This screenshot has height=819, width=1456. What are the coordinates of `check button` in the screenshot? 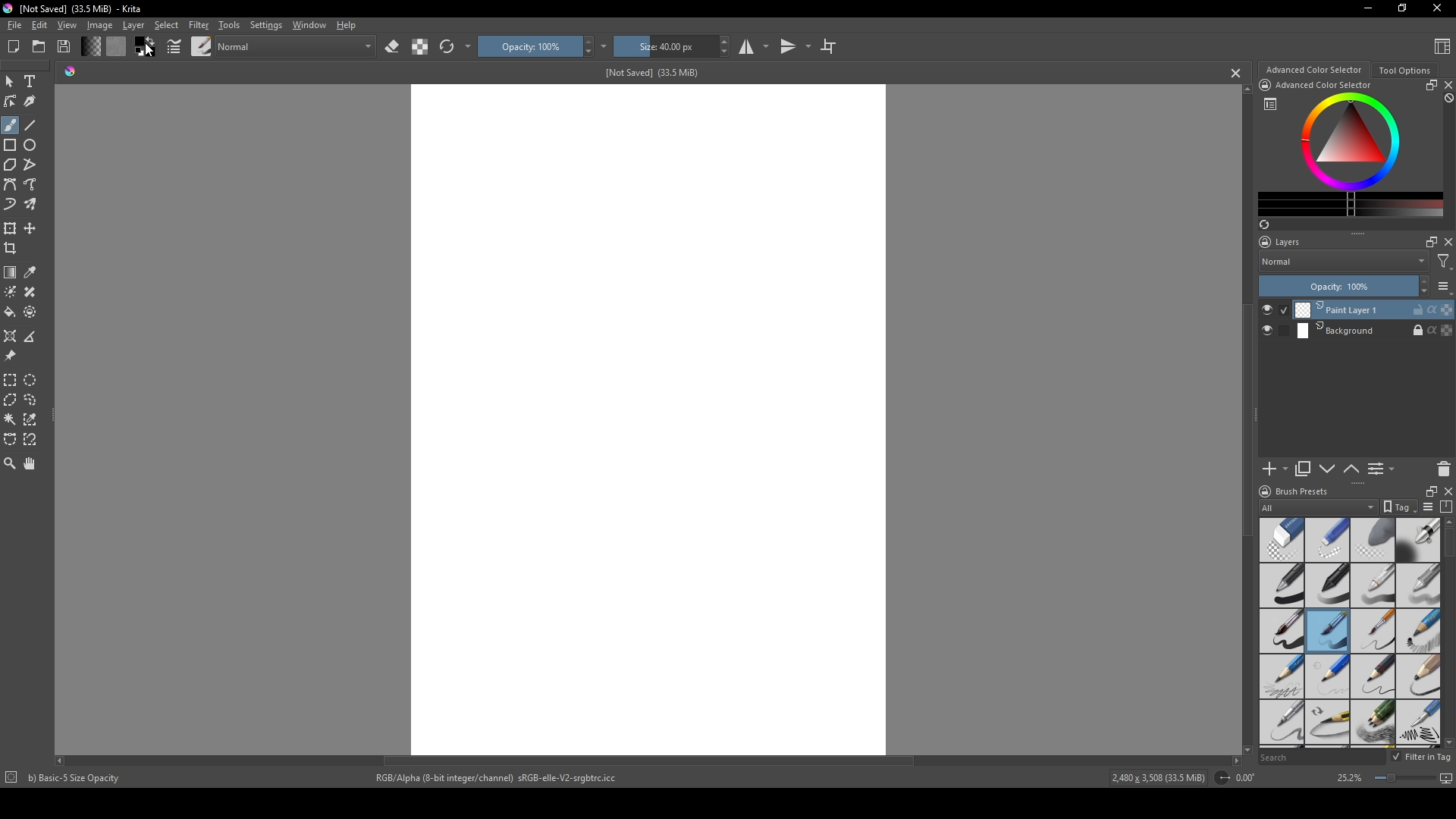 It's located at (1274, 309).